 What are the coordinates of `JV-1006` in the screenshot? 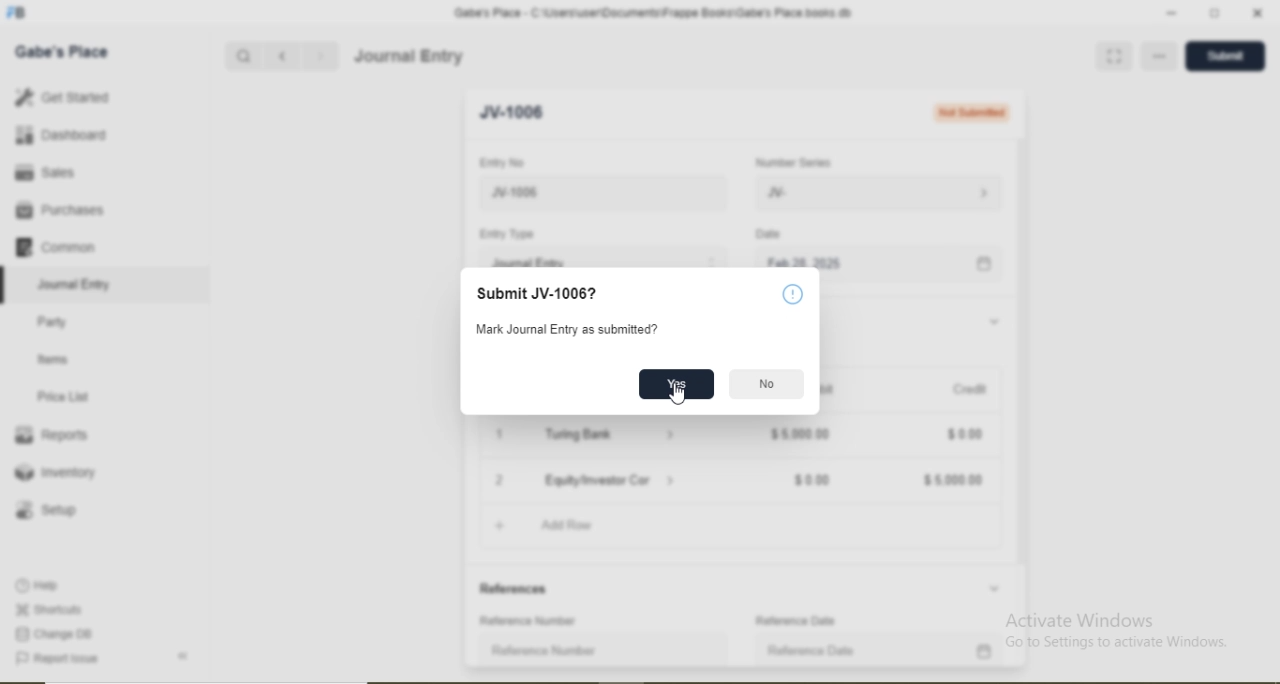 It's located at (552, 193).